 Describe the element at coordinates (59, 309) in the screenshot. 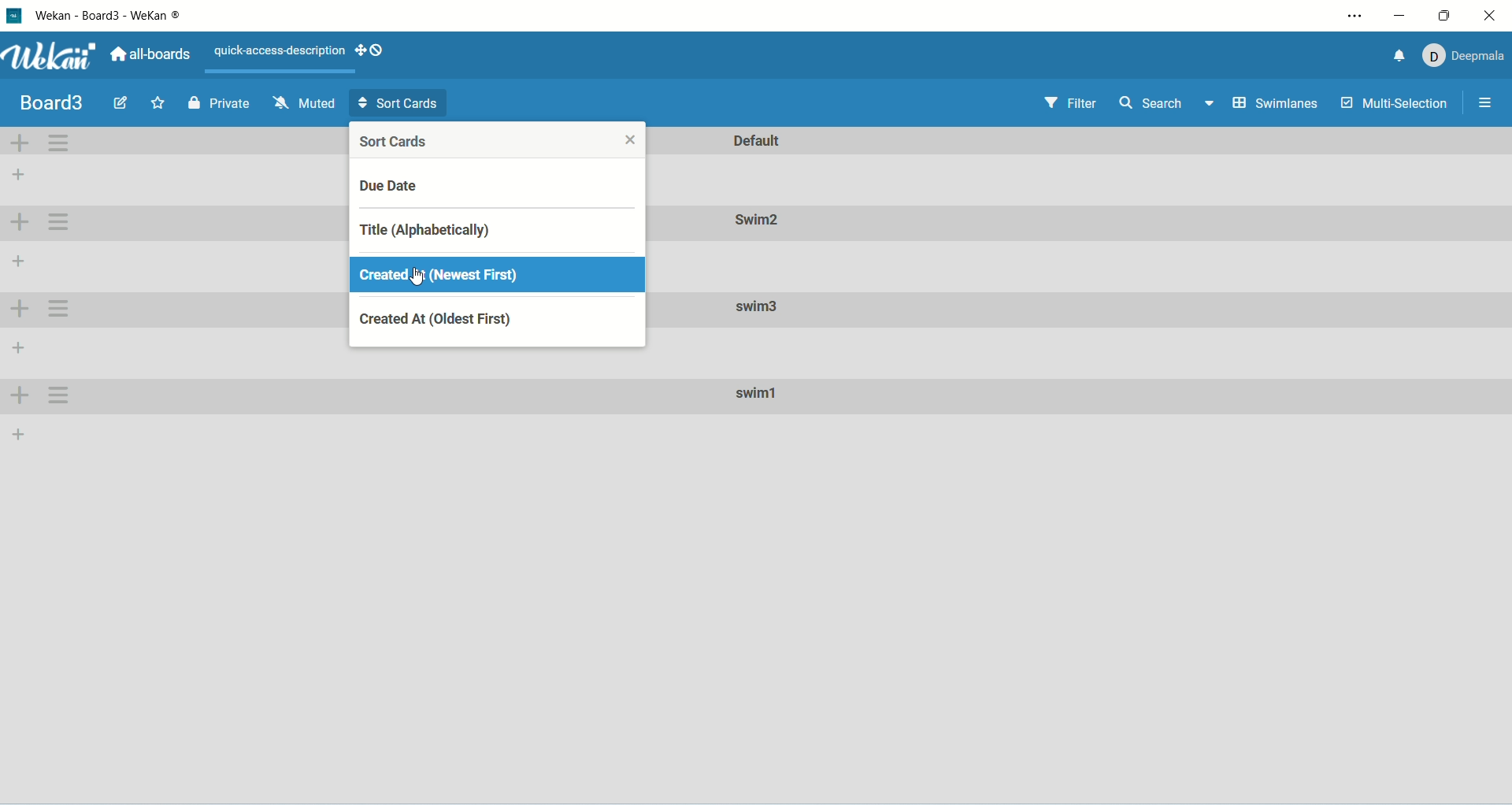

I see `swimlane actions` at that location.